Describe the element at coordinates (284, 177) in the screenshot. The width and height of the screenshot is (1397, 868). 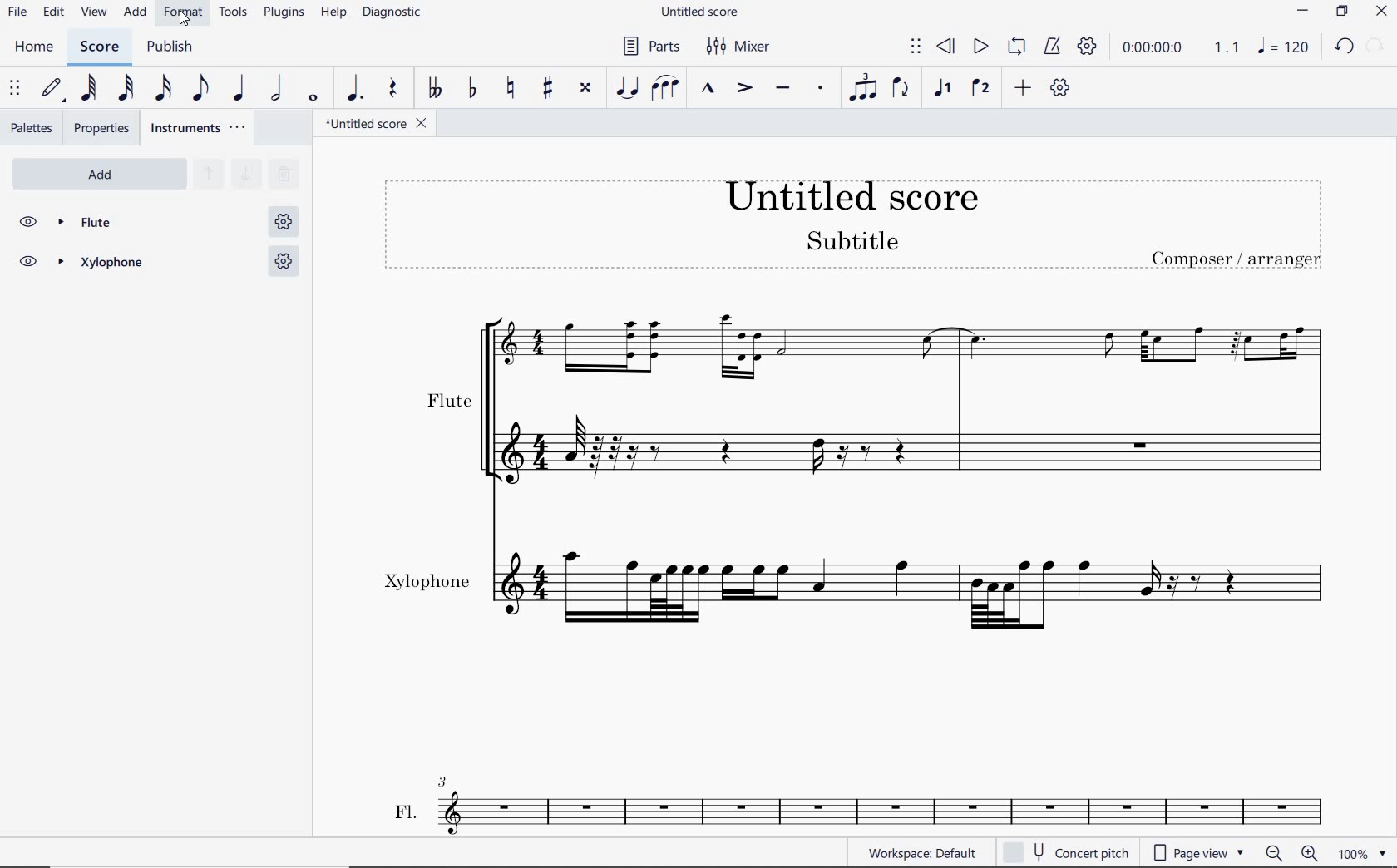
I see `REMOVE SELECTED INSTRUMENT` at that location.